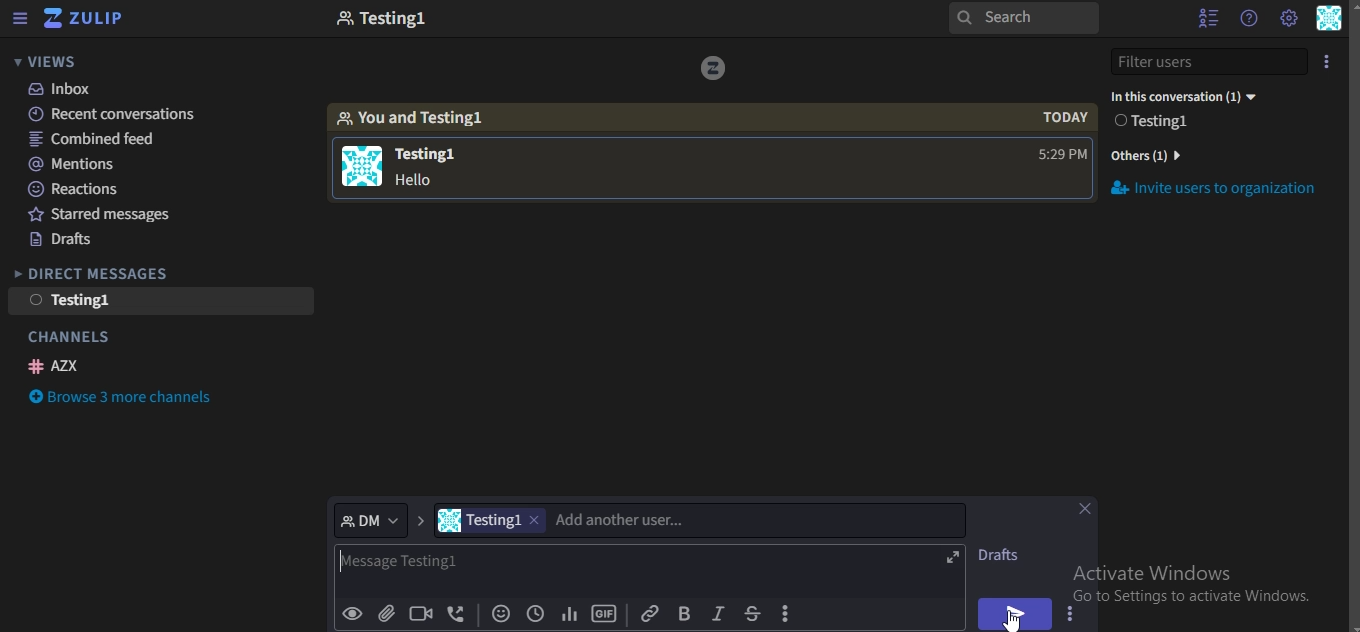 This screenshot has height=632, width=1360. Describe the element at coordinates (76, 164) in the screenshot. I see `mentions` at that location.